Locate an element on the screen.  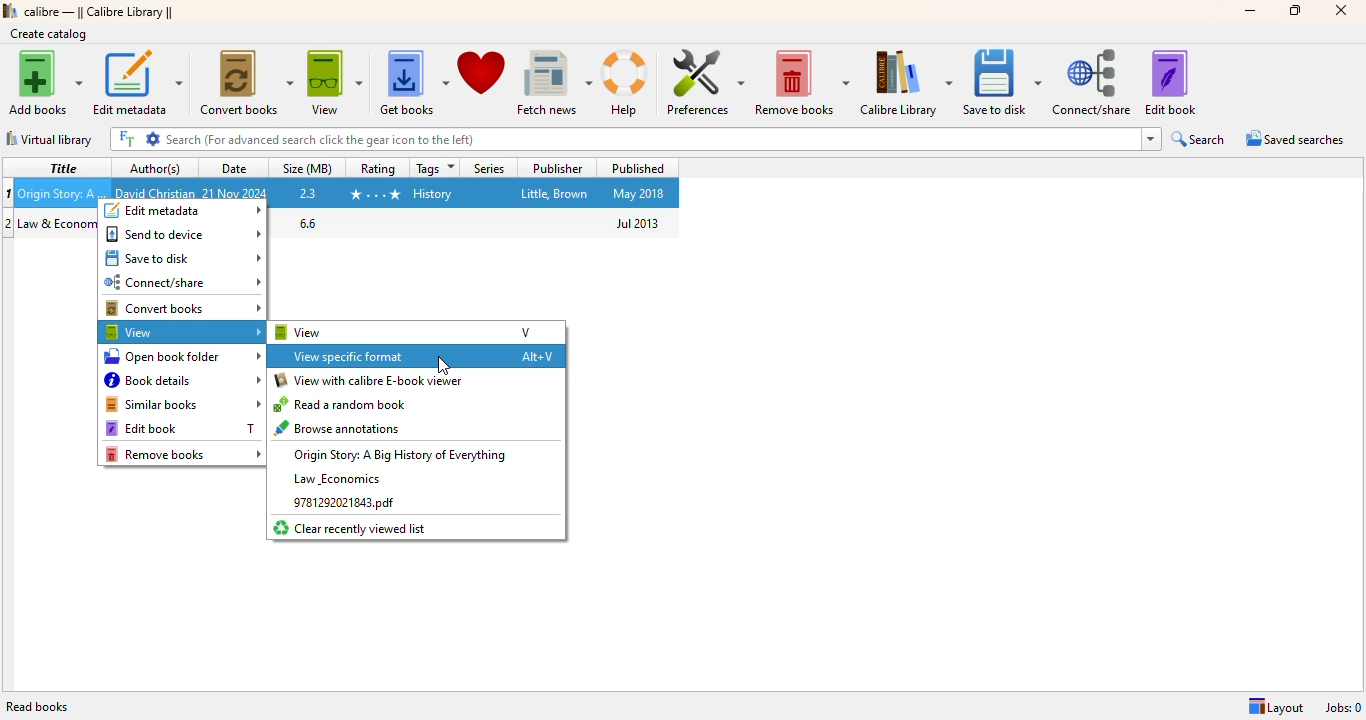
edit metadata is located at coordinates (138, 82).